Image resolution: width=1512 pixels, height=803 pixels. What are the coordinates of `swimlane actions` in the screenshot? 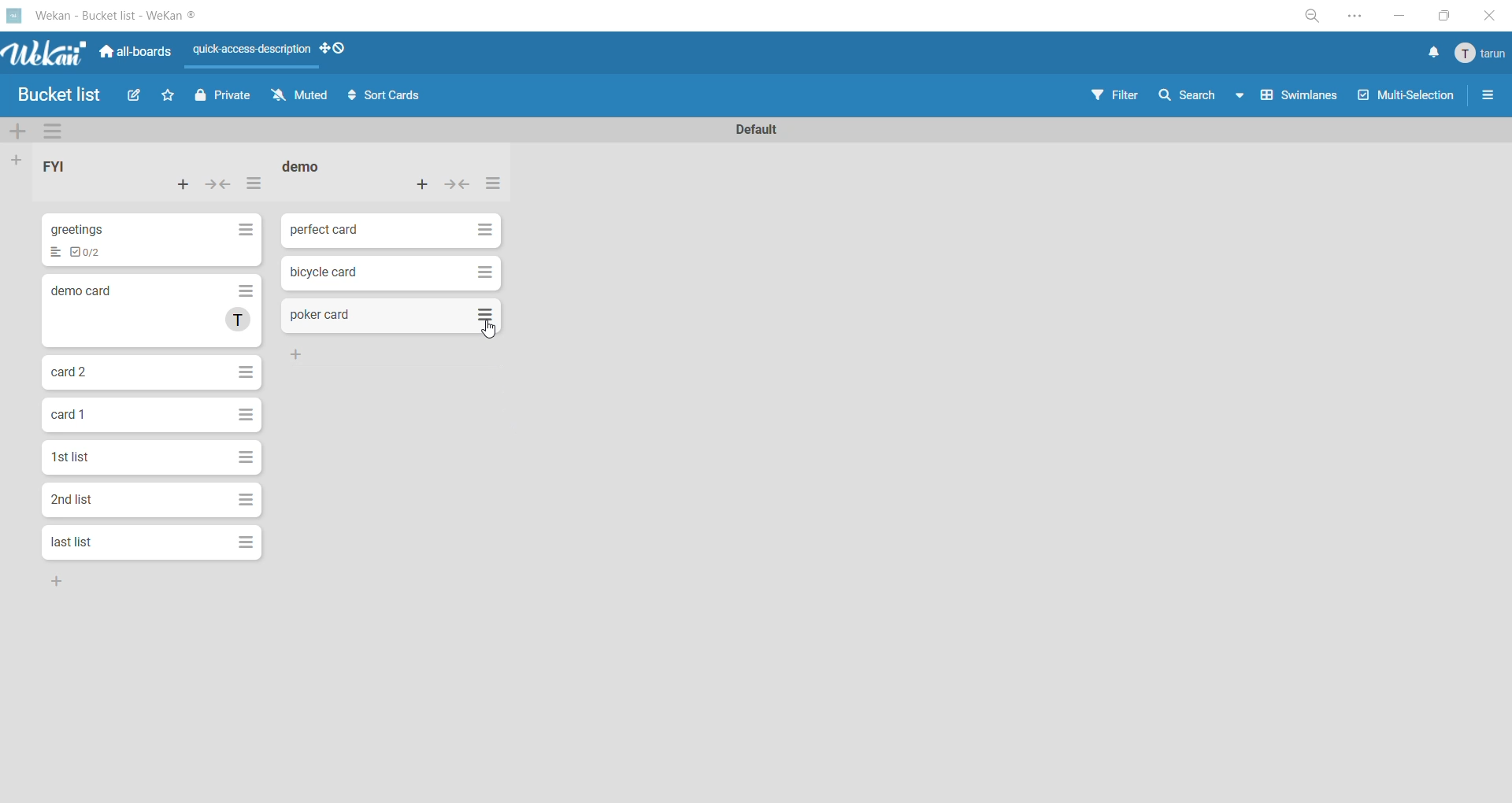 It's located at (60, 132).